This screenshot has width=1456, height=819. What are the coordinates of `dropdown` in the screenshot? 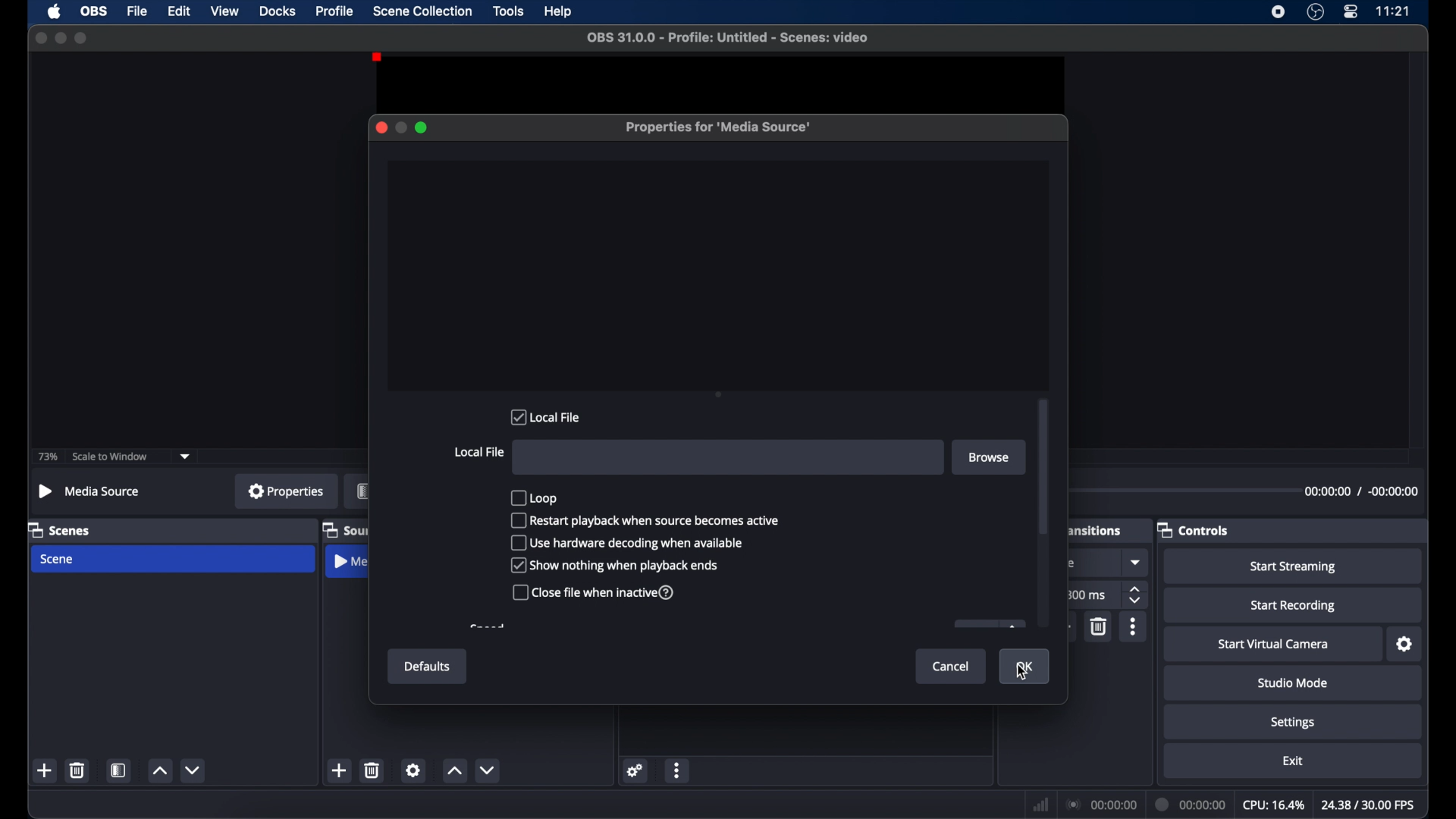 It's located at (488, 770).